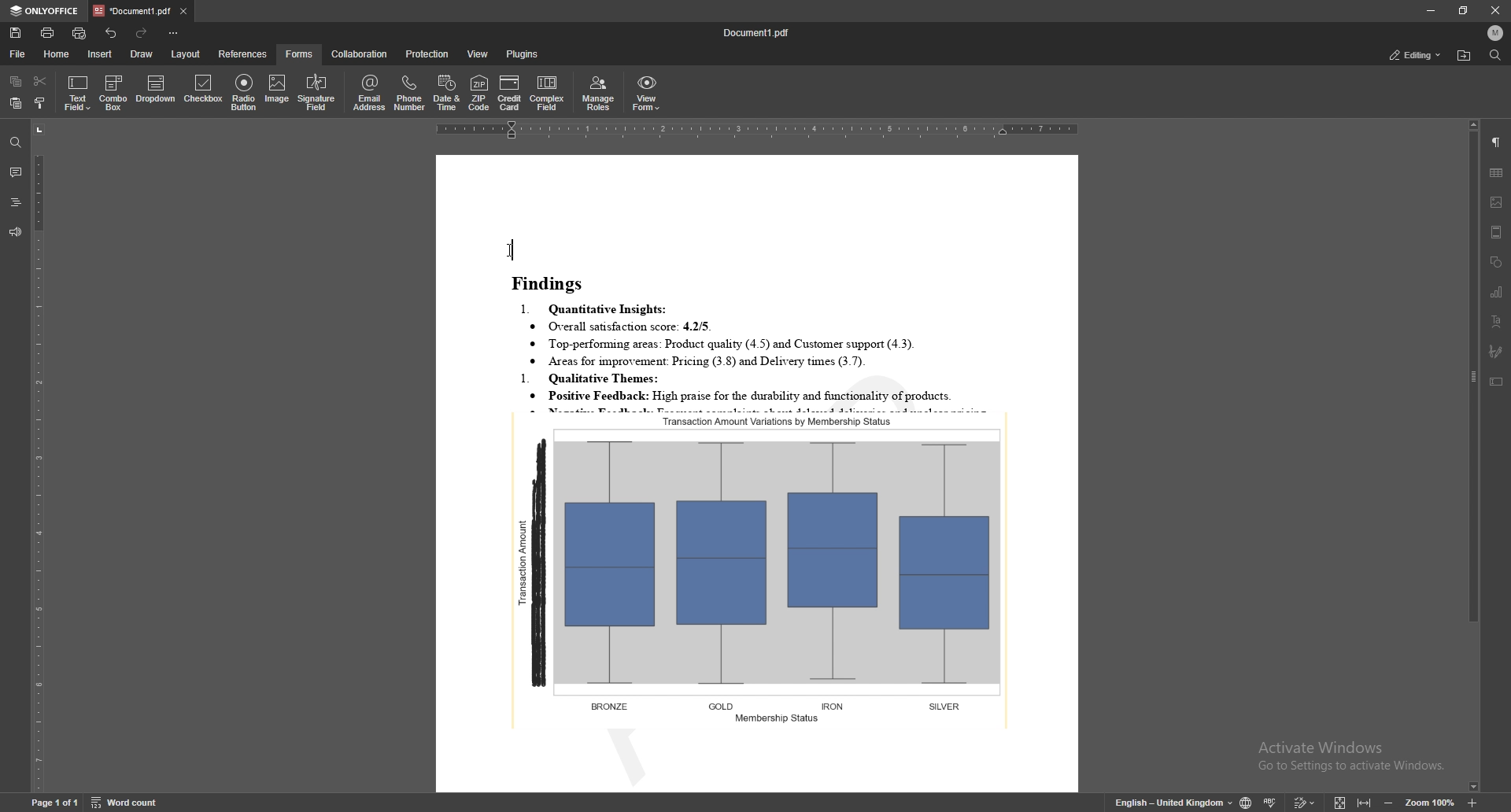 The image size is (1511, 812). I want to click on text art, so click(1496, 322).